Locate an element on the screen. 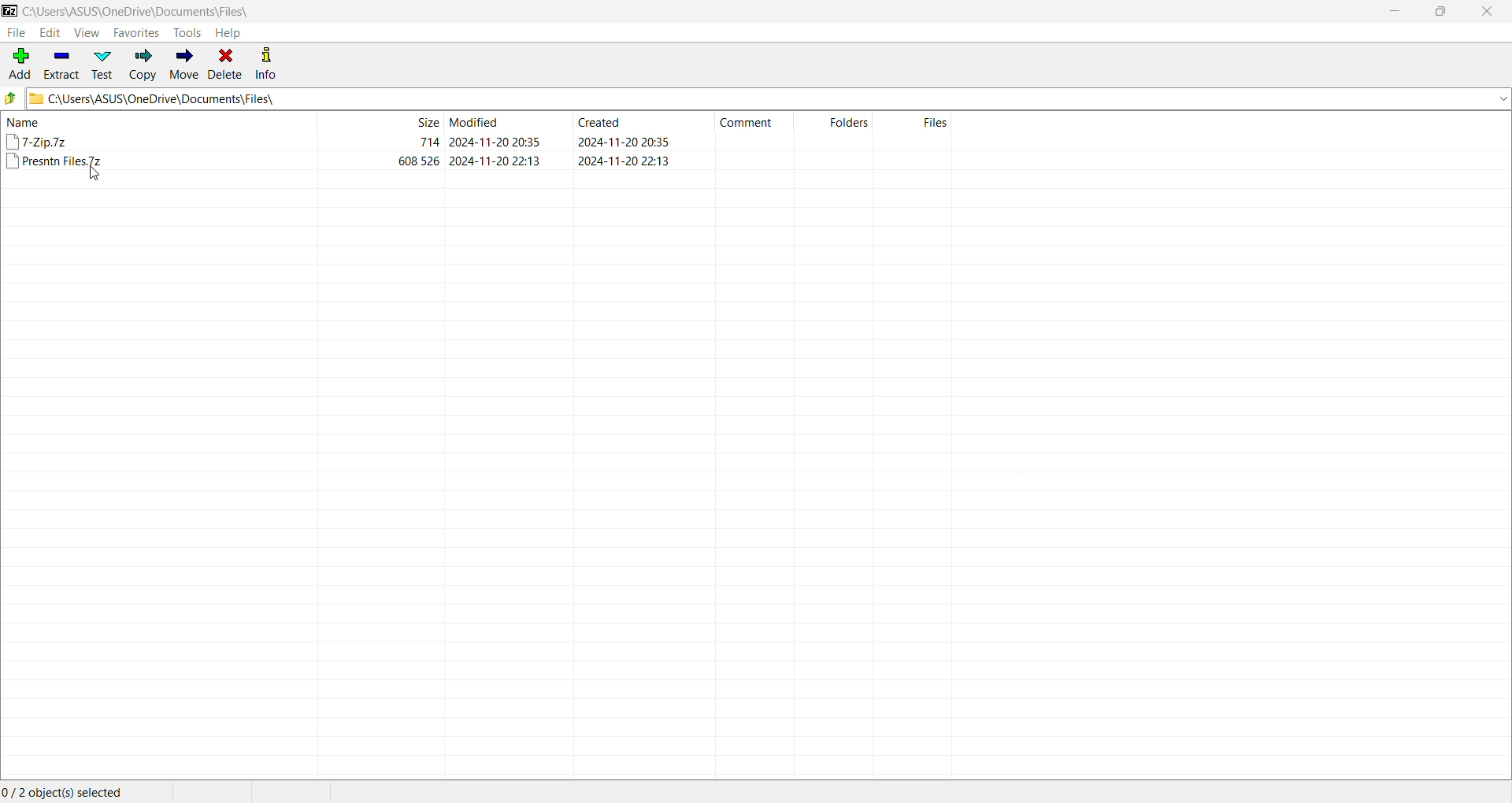  size is located at coordinates (425, 121).